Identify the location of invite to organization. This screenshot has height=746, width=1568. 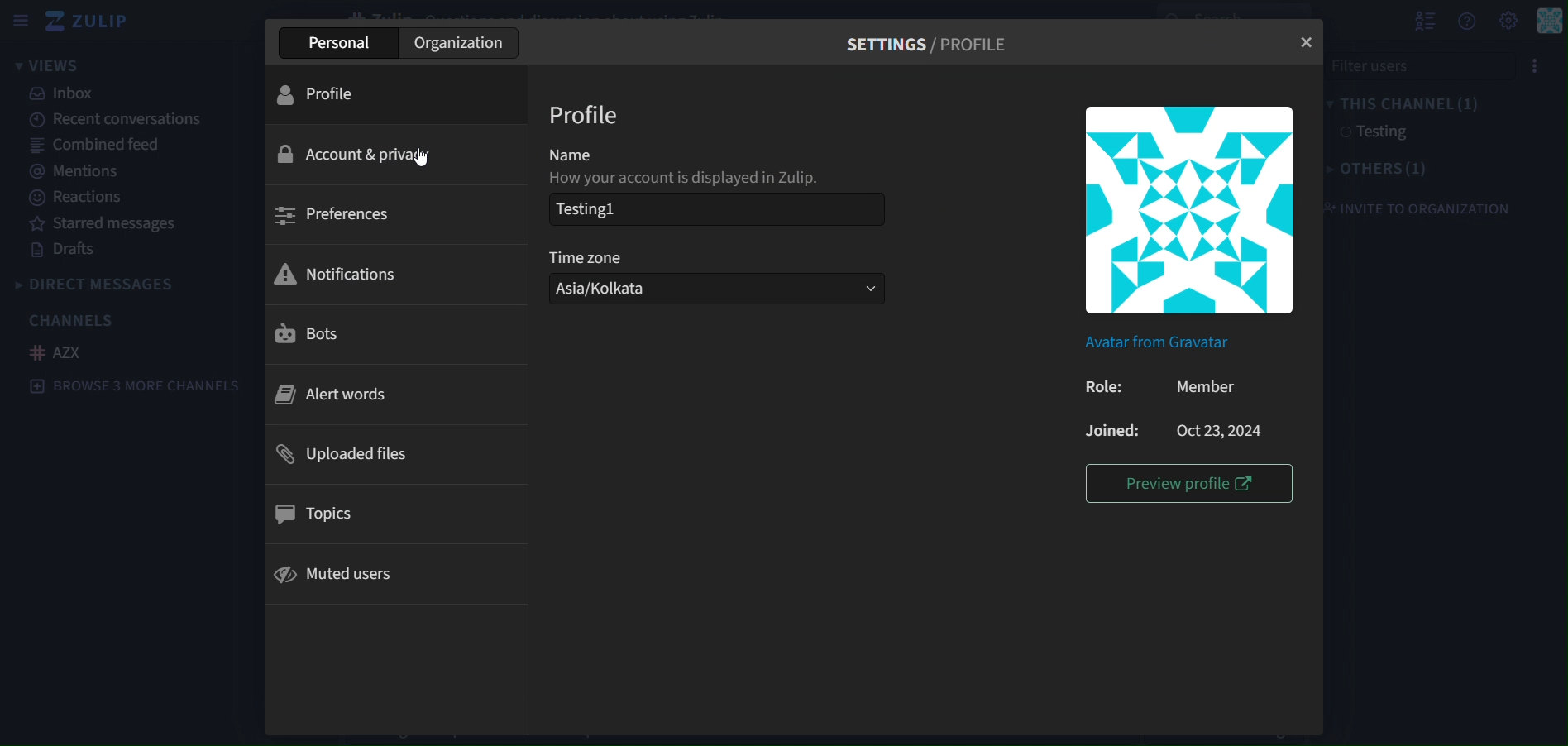
(1422, 208).